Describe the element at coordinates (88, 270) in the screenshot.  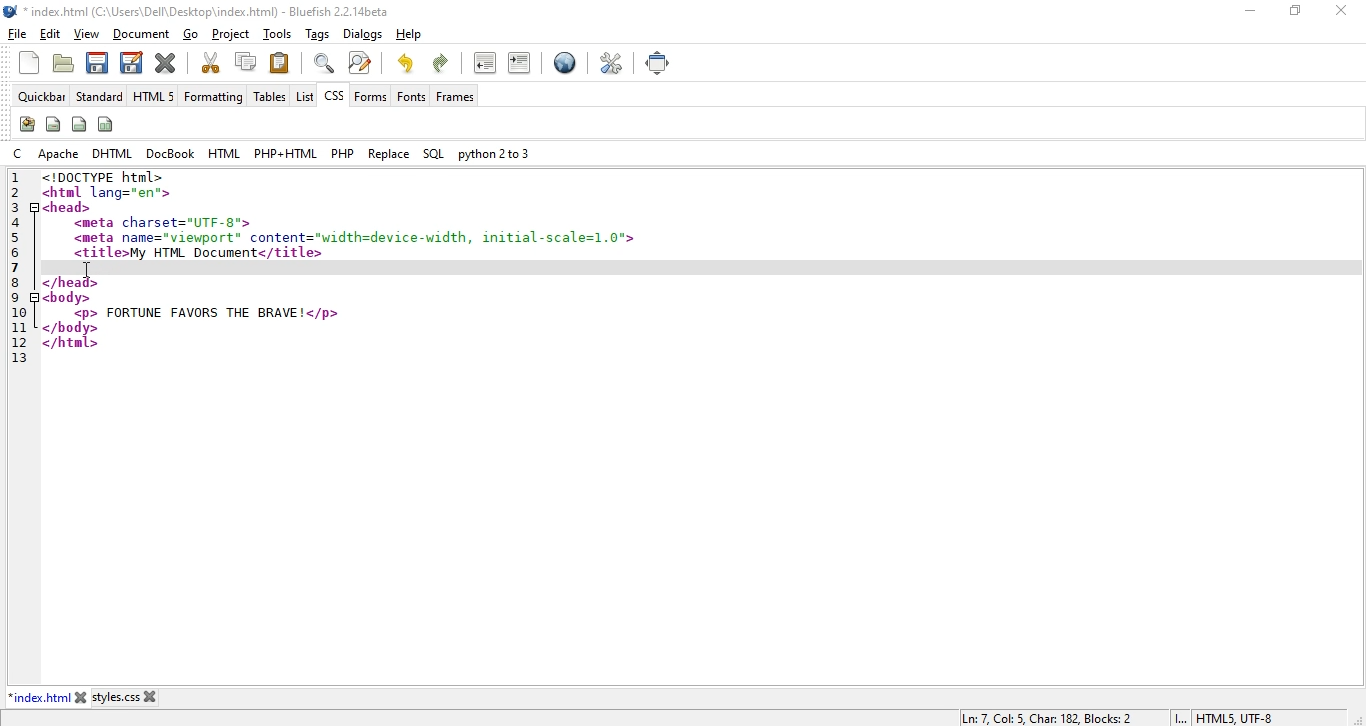
I see `cursor` at that location.